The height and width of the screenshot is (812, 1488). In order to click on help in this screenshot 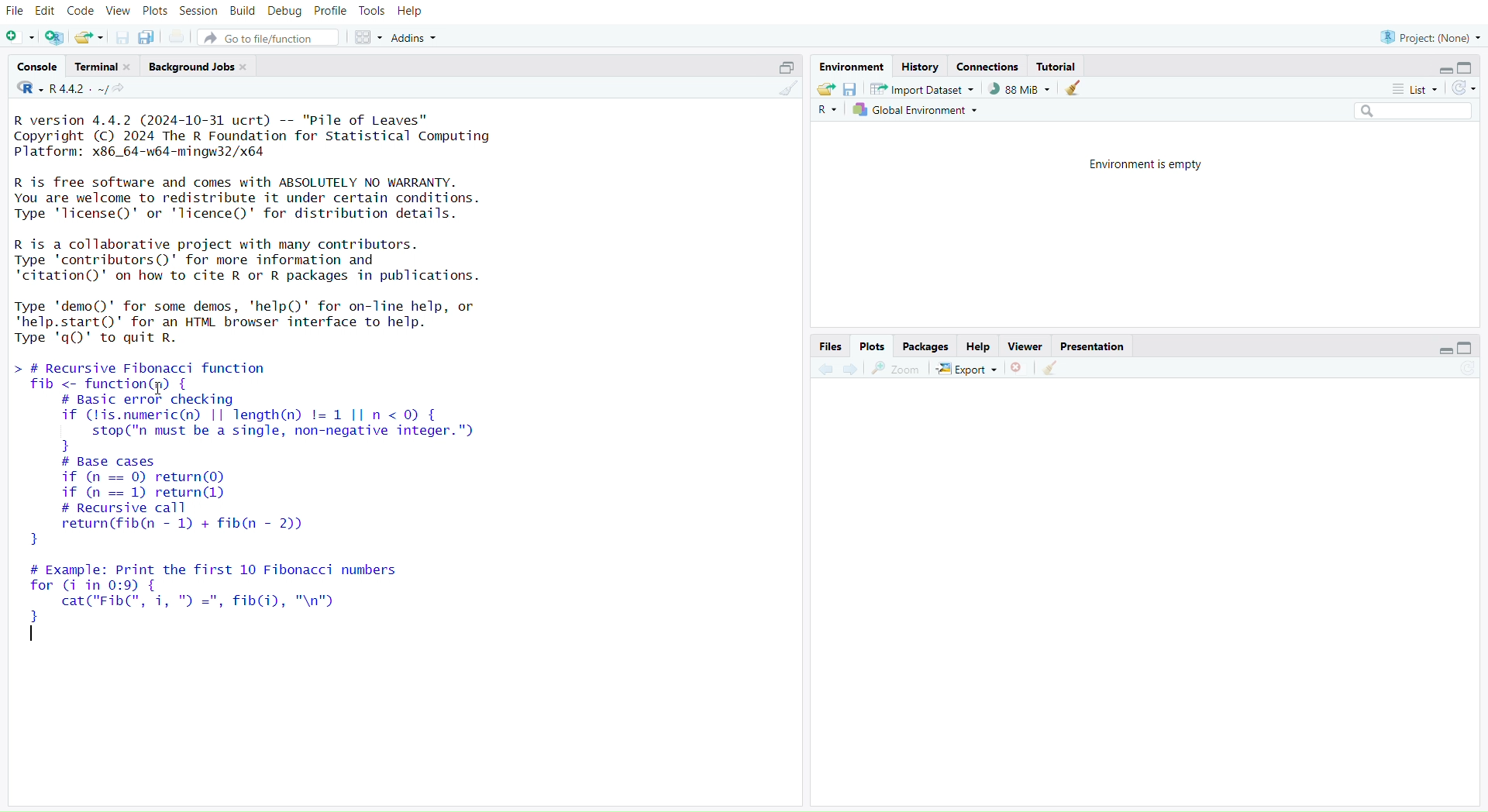, I will do `click(411, 12)`.